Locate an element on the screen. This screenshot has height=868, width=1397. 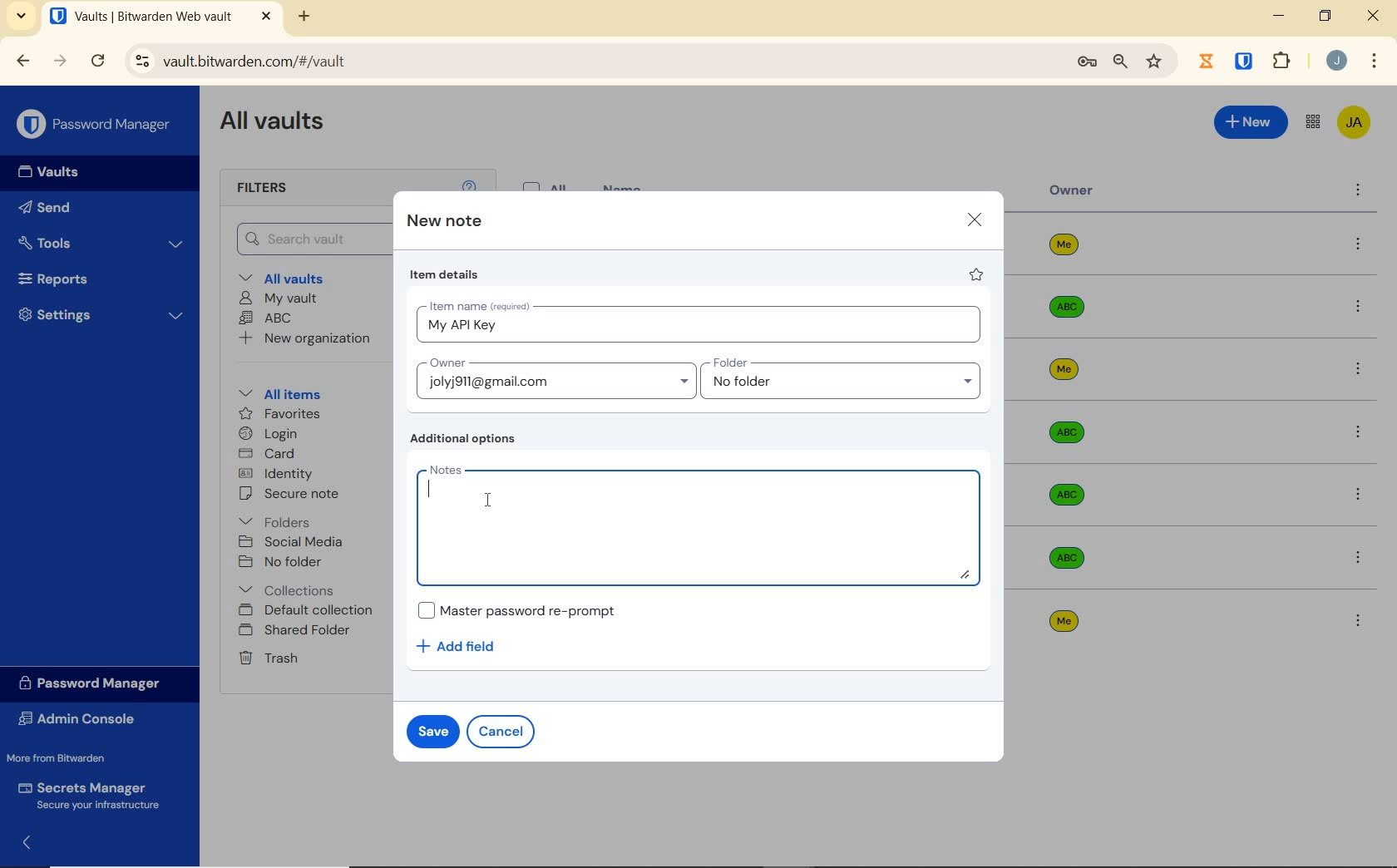
more options is located at coordinates (1358, 192).